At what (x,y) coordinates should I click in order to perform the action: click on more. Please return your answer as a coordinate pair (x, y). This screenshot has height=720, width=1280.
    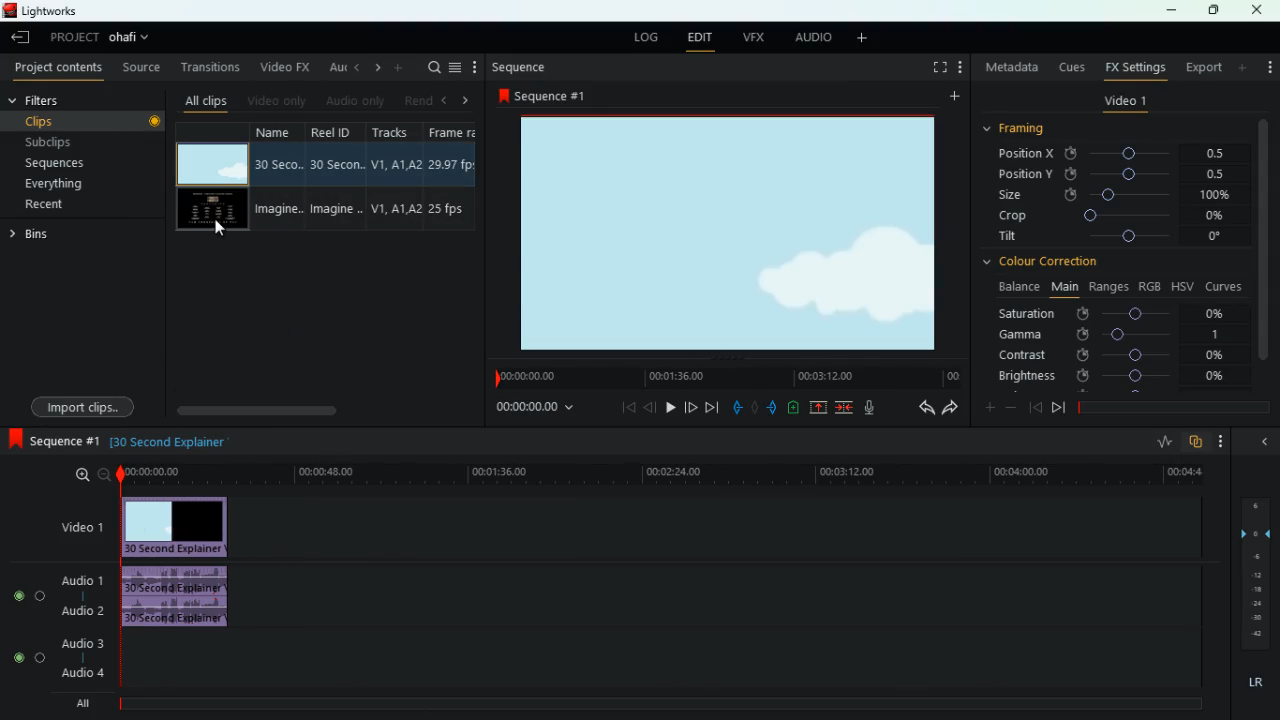
    Looking at the image, I should click on (1244, 67).